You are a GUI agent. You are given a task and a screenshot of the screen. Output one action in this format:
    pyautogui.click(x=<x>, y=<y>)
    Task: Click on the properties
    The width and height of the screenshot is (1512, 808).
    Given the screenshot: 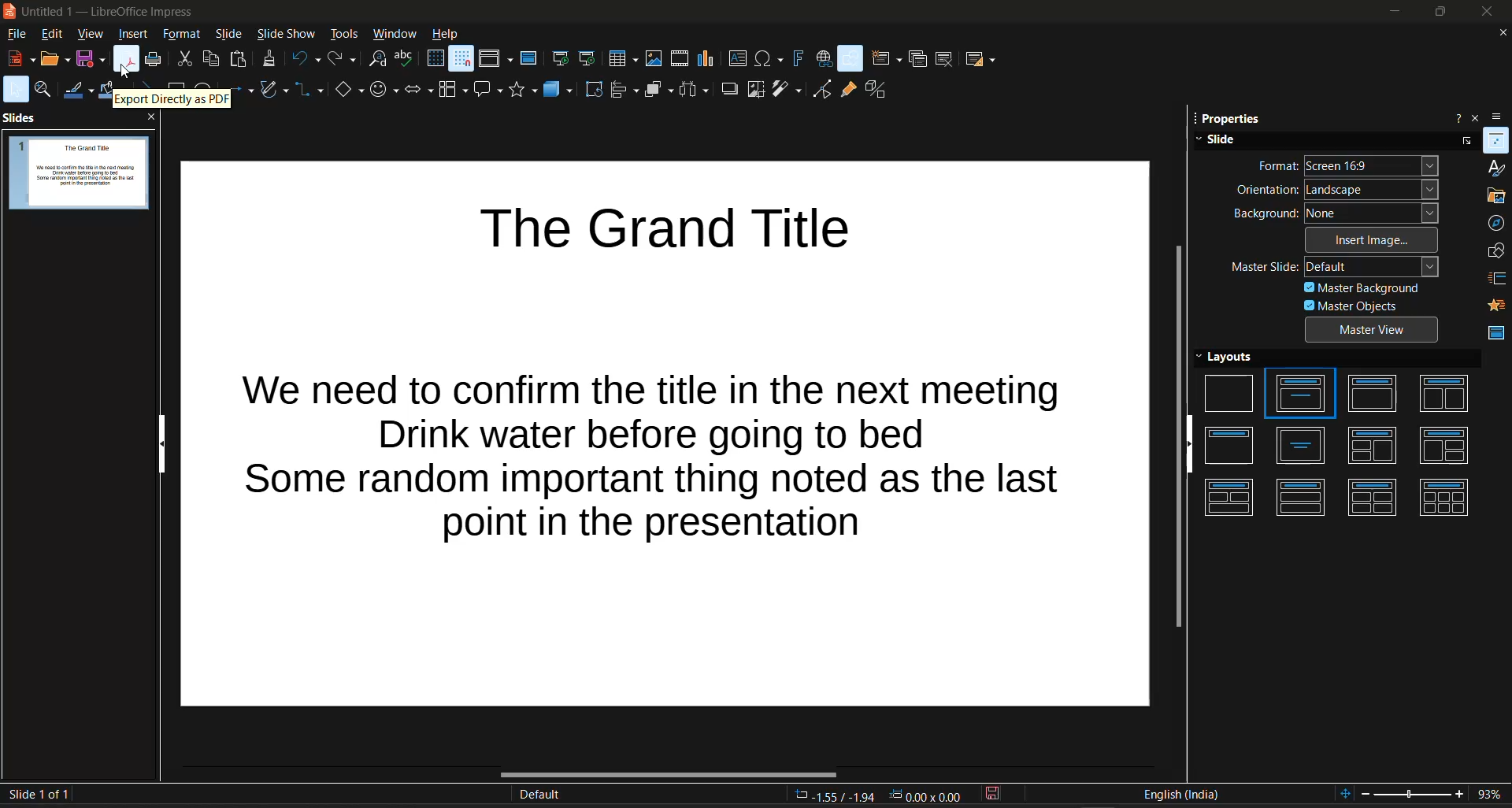 What is the action you would take?
    pyautogui.click(x=1229, y=119)
    